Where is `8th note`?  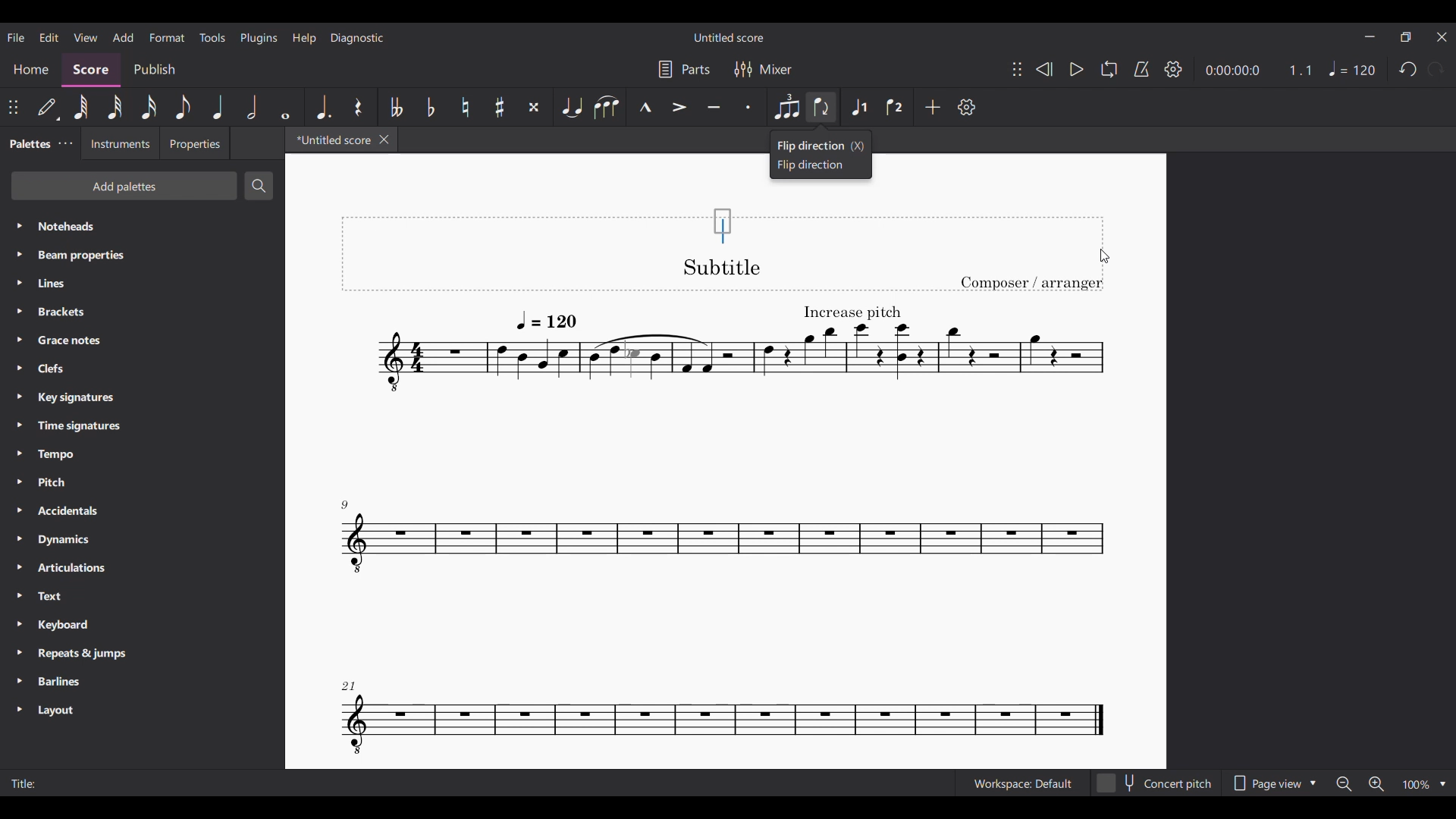 8th note is located at coordinates (182, 107).